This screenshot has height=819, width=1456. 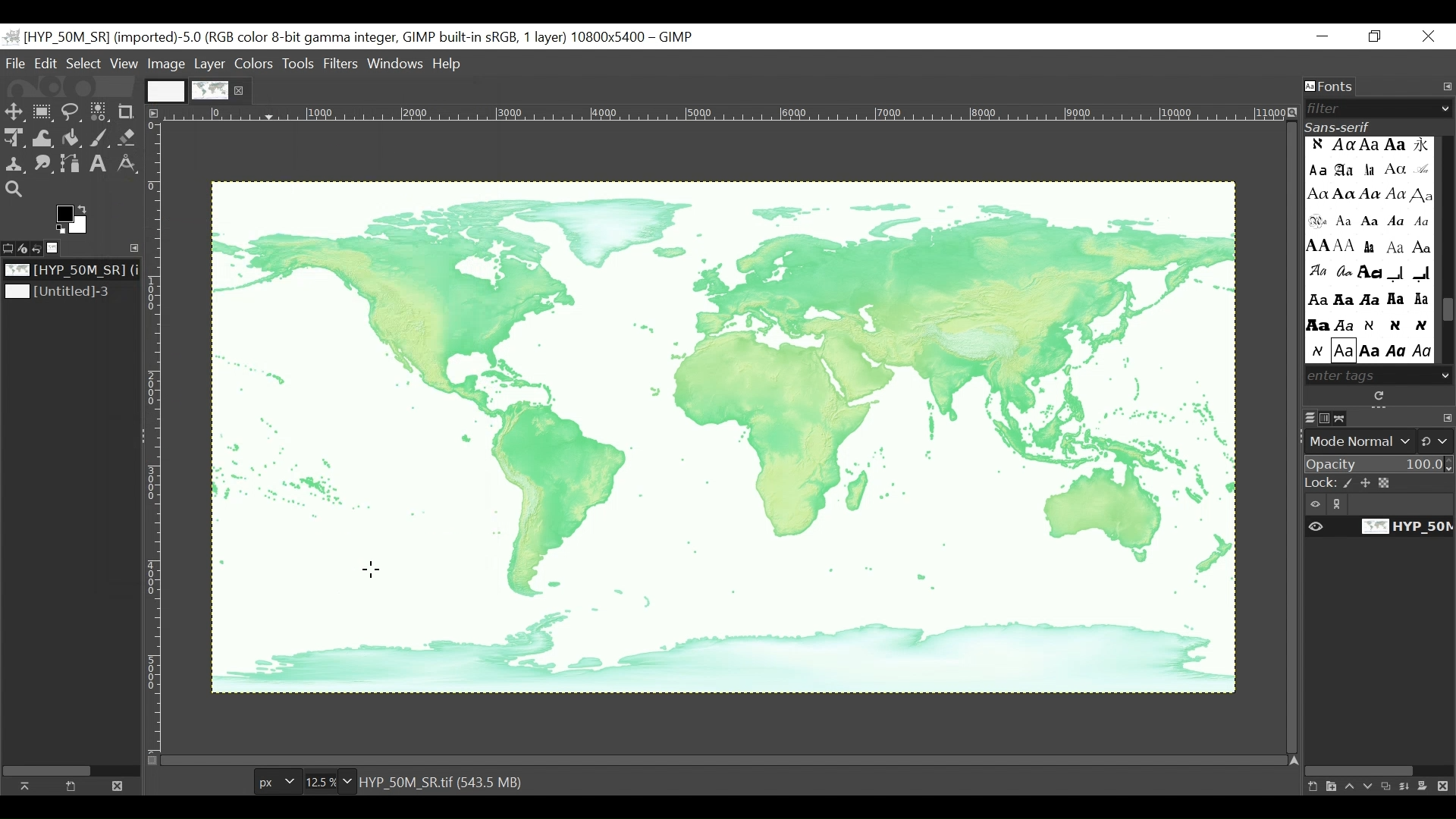 What do you see at coordinates (99, 165) in the screenshot?
I see `Text Tool` at bounding box center [99, 165].